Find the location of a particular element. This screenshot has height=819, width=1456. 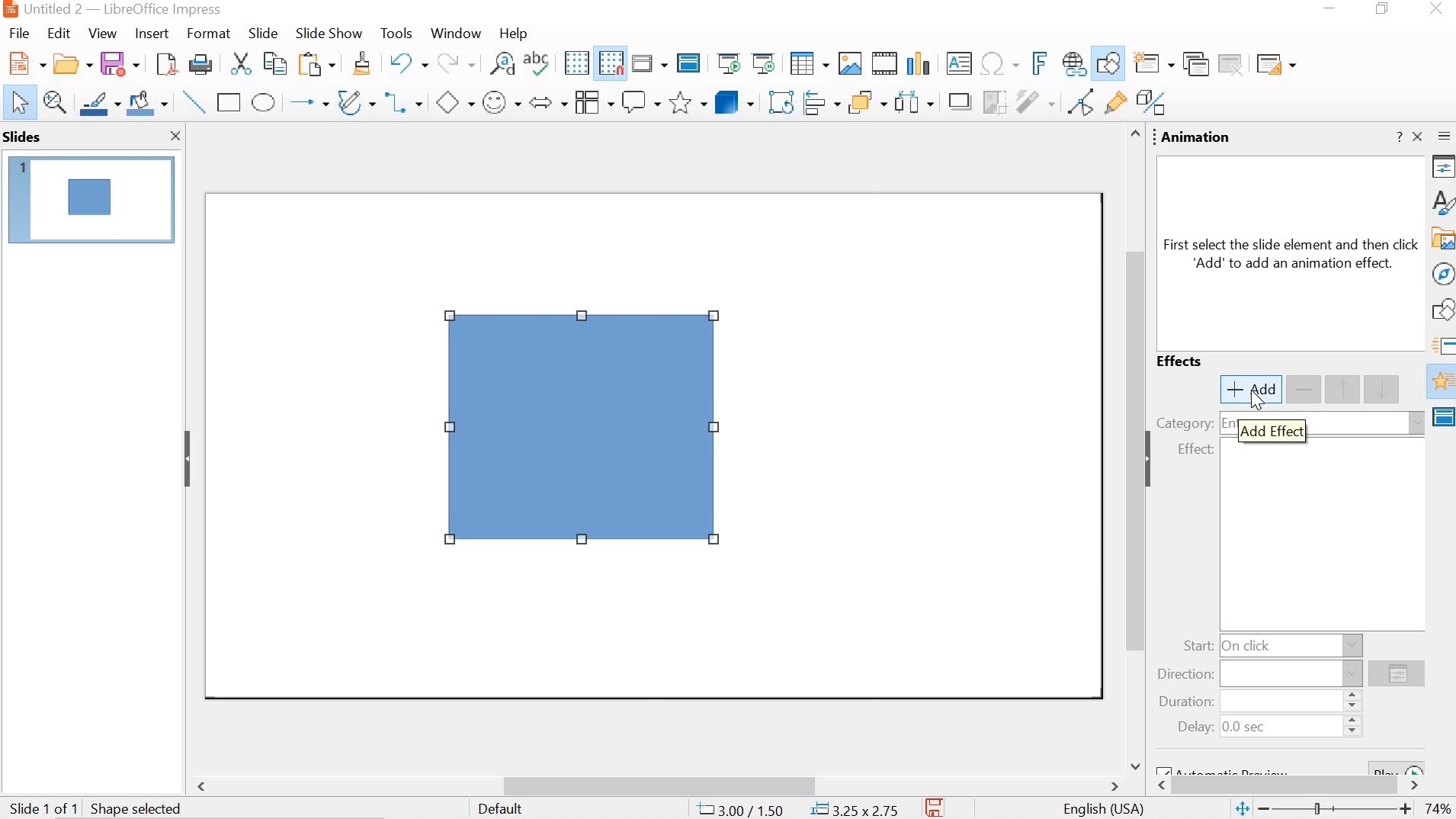

Move up is located at coordinates (1134, 134).